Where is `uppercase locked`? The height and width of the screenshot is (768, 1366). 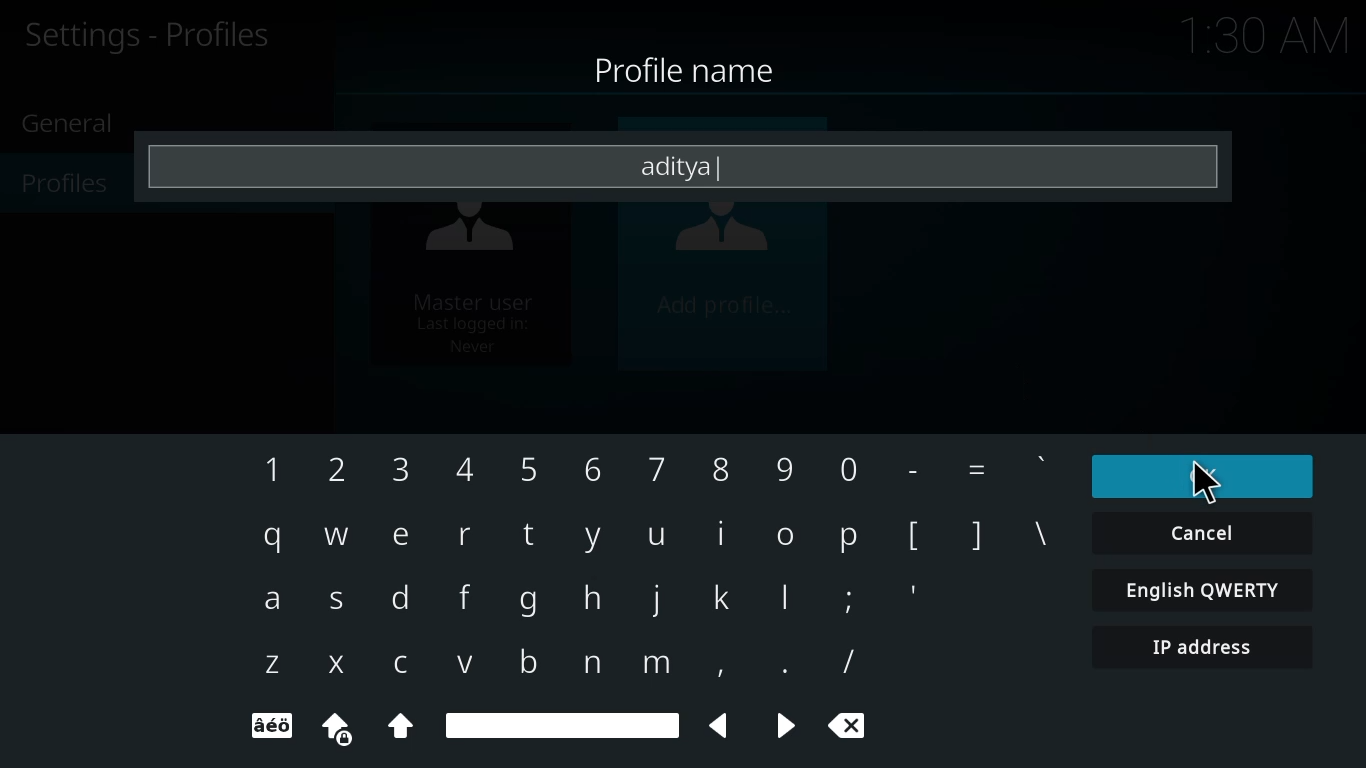 uppercase locked is located at coordinates (338, 734).